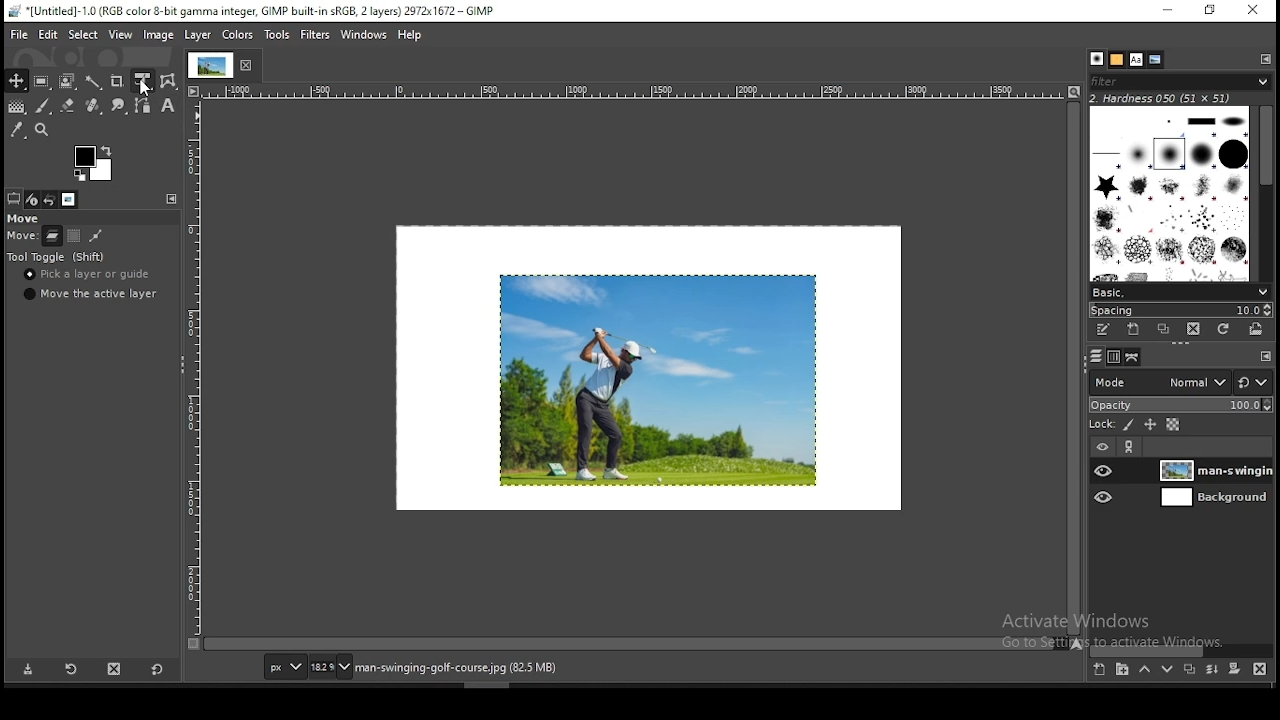 This screenshot has width=1280, height=720. What do you see at coordinates (13, 198) in the screenshot?
I see `tool options` at bounding box center [13, 198].